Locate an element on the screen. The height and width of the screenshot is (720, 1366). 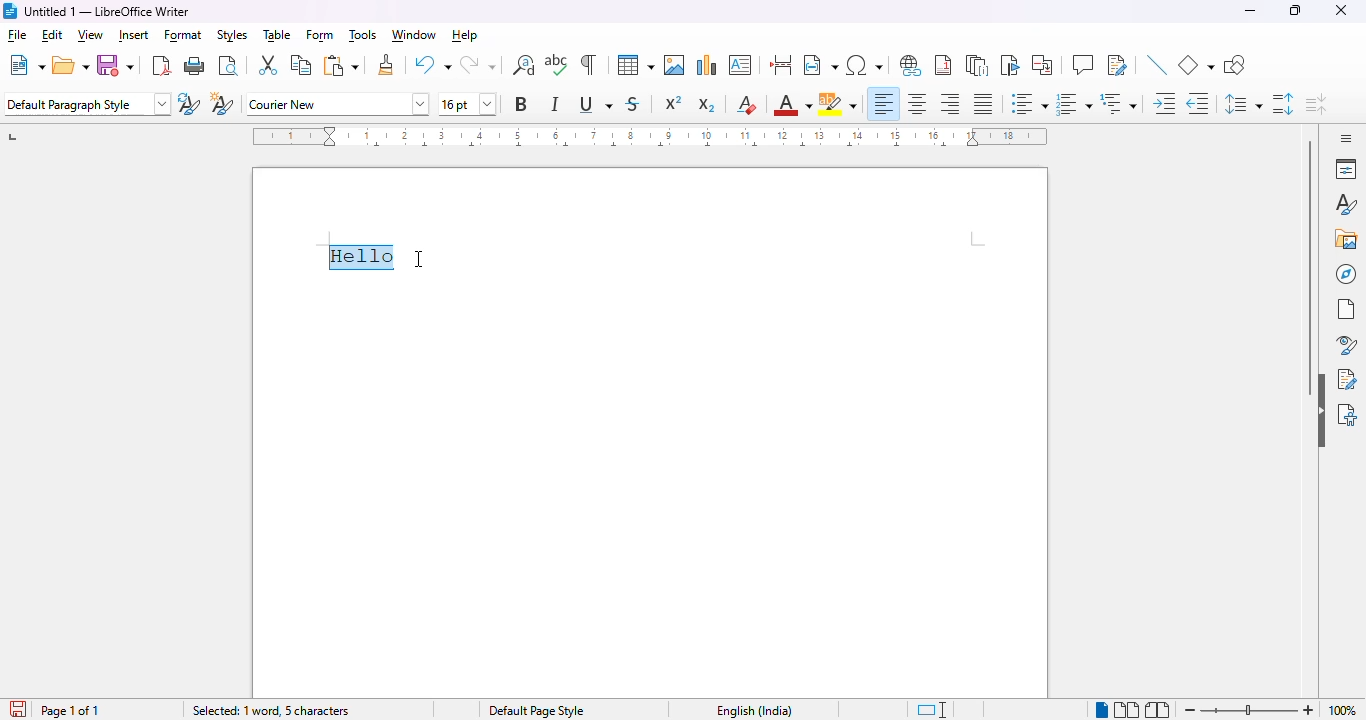
single-page view is located at coordinates (1100, 709).